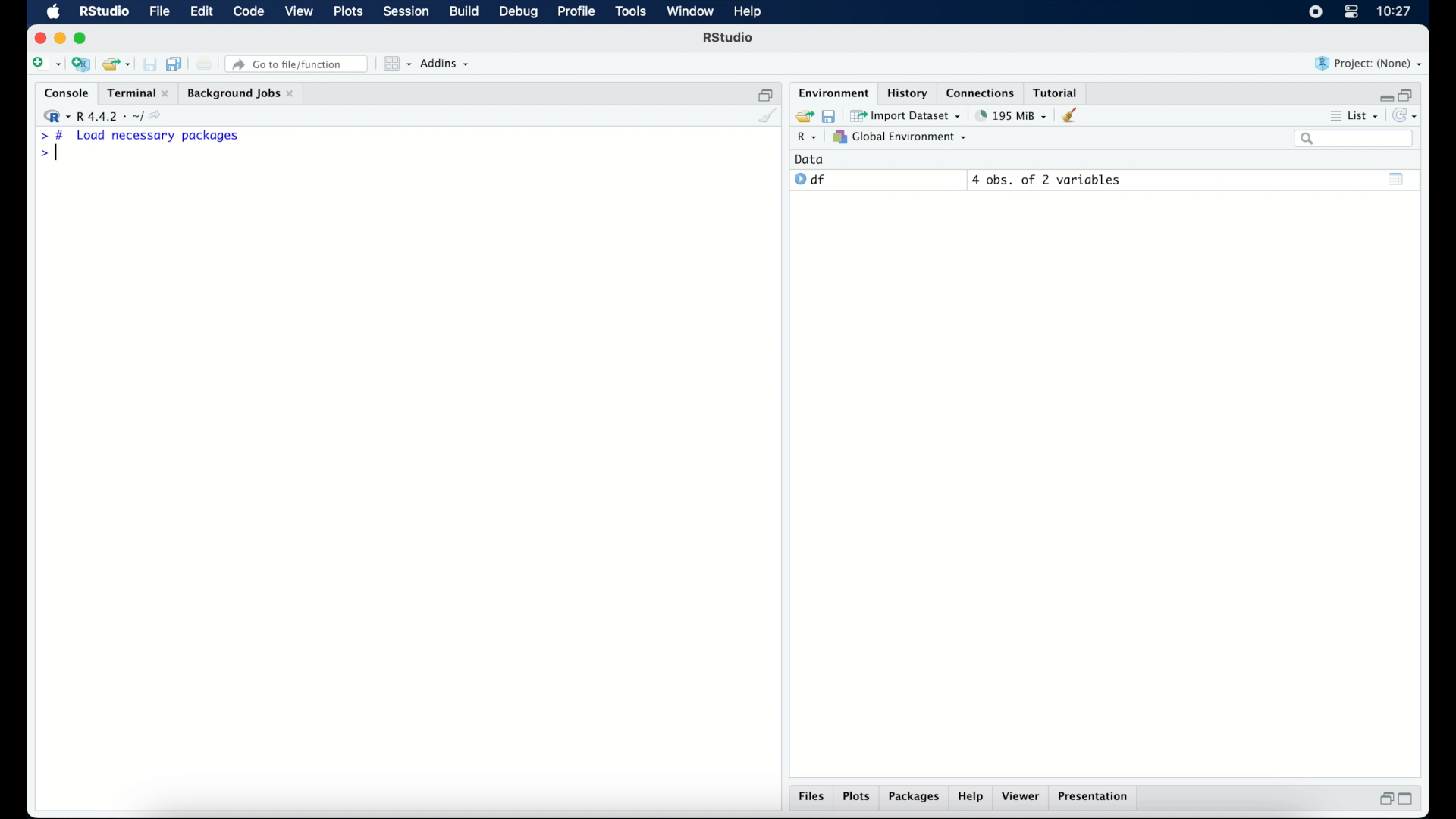 The image size is (1456, 819). I want to click on file, so click(158, 12).